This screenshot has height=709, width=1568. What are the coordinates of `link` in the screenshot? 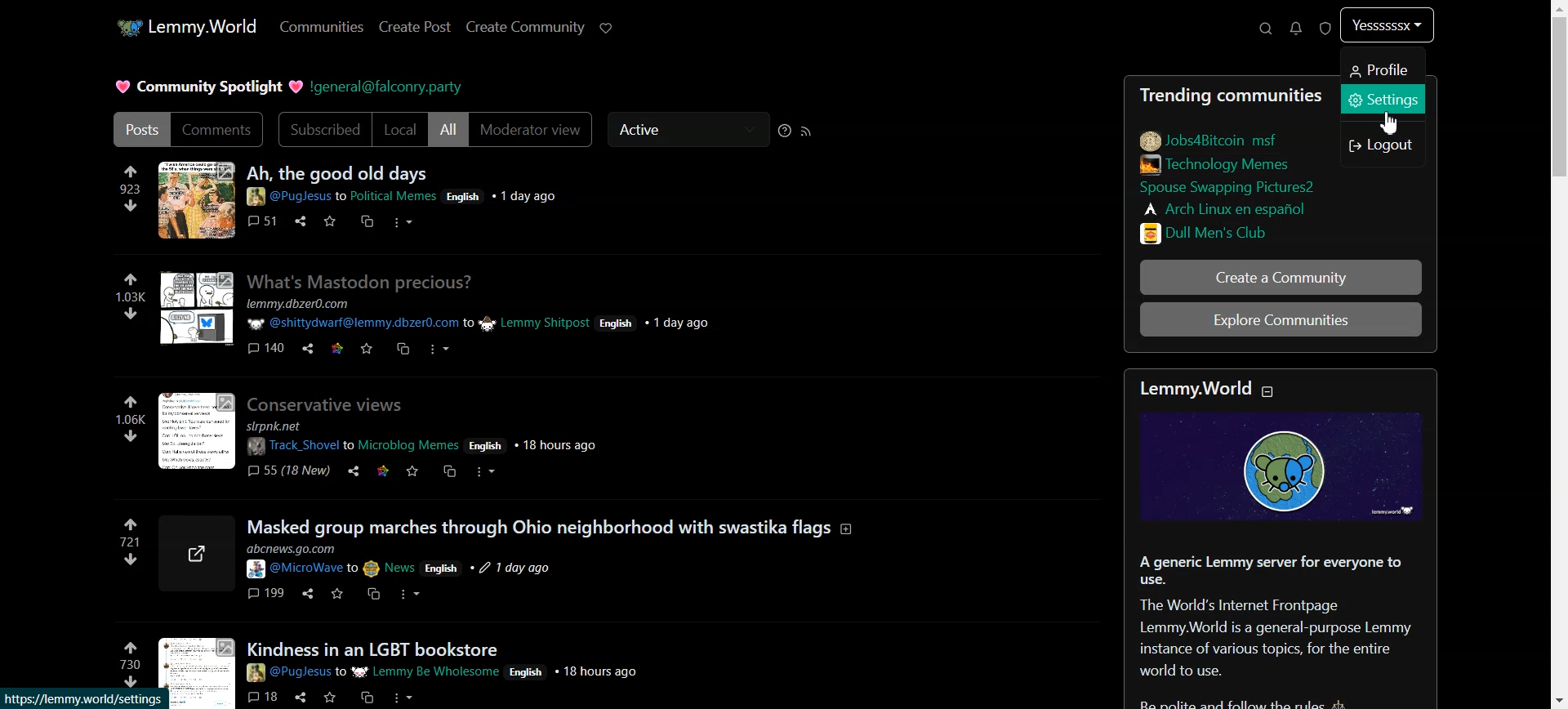 It's located at (381, 469).